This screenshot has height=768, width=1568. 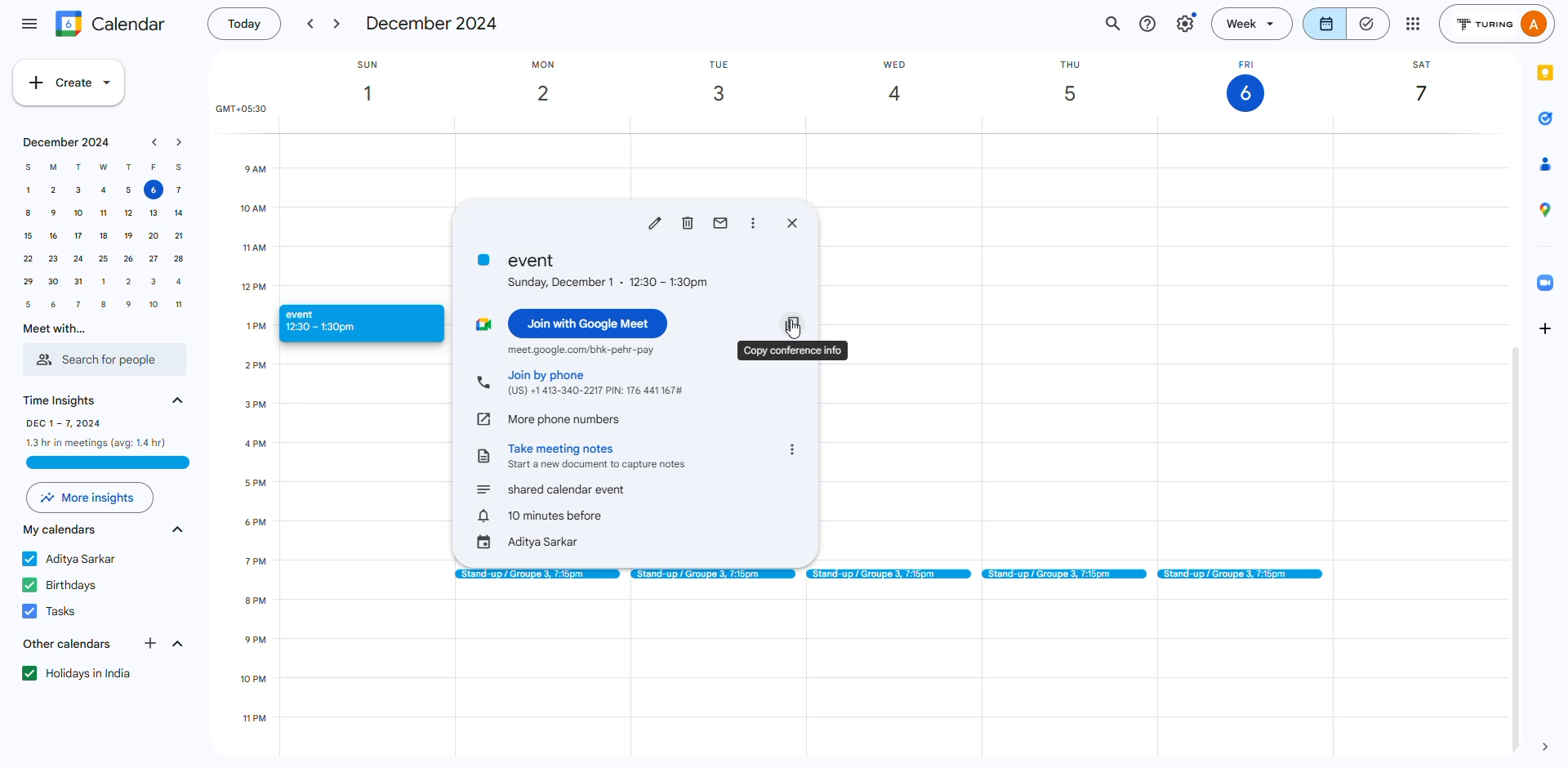 I want to click on holiday, so click(x=81, y=673).